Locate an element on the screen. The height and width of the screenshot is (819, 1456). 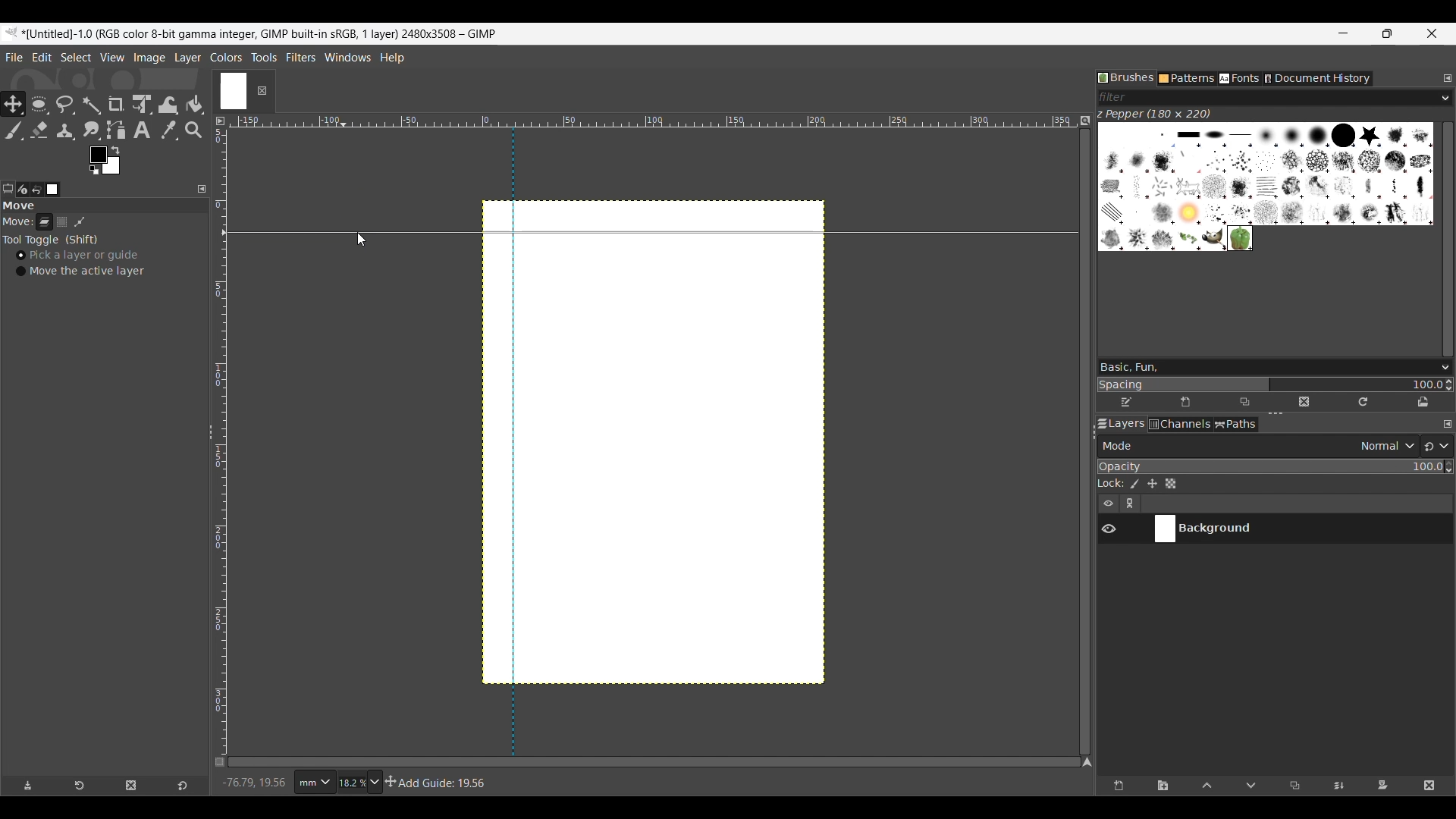
Brushes tab, current selection highlighted is located at coordinates (1126, 77).